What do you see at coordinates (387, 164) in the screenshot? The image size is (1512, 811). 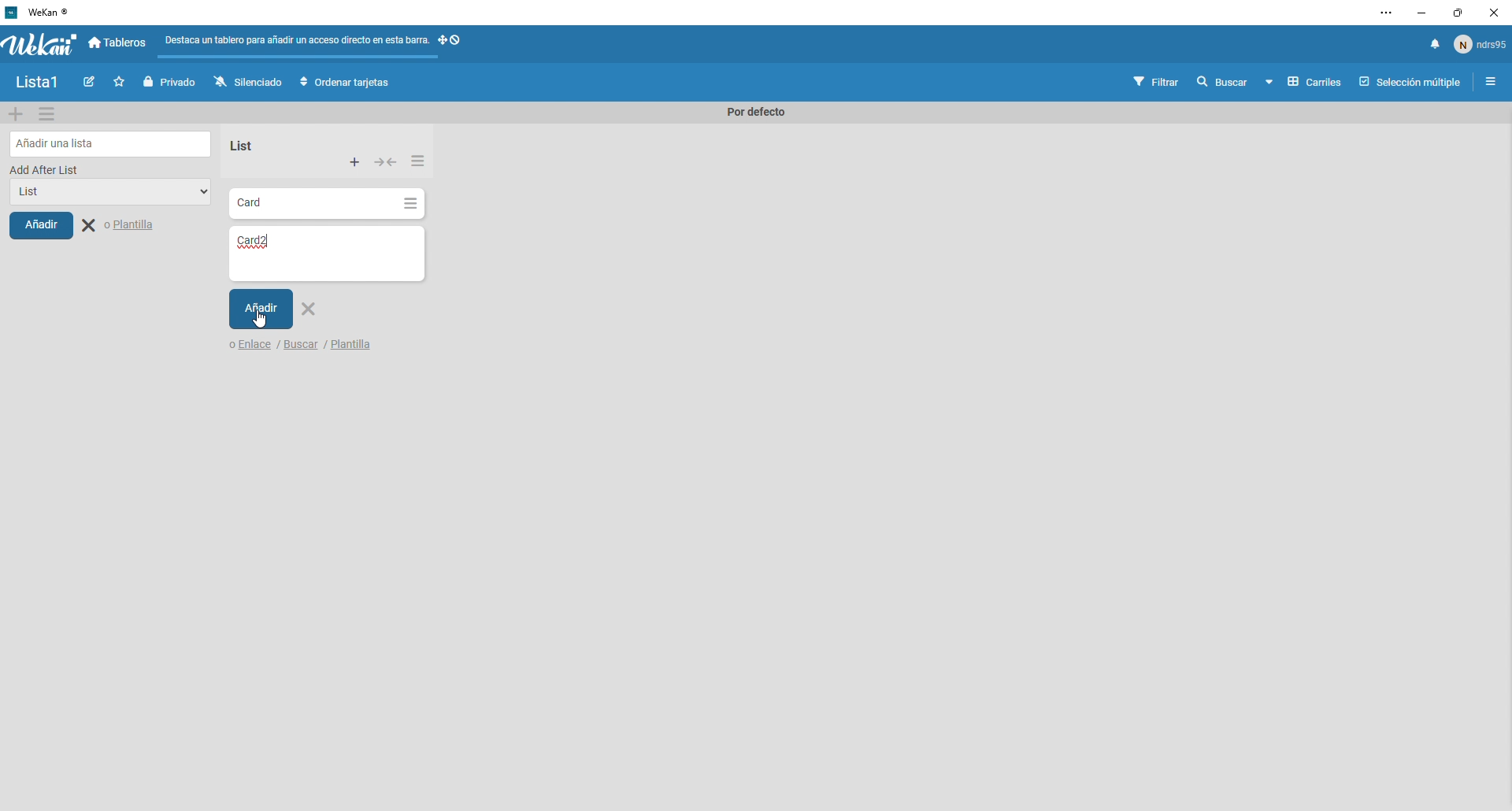 I see `Actions` at bounding box center [387, 164].